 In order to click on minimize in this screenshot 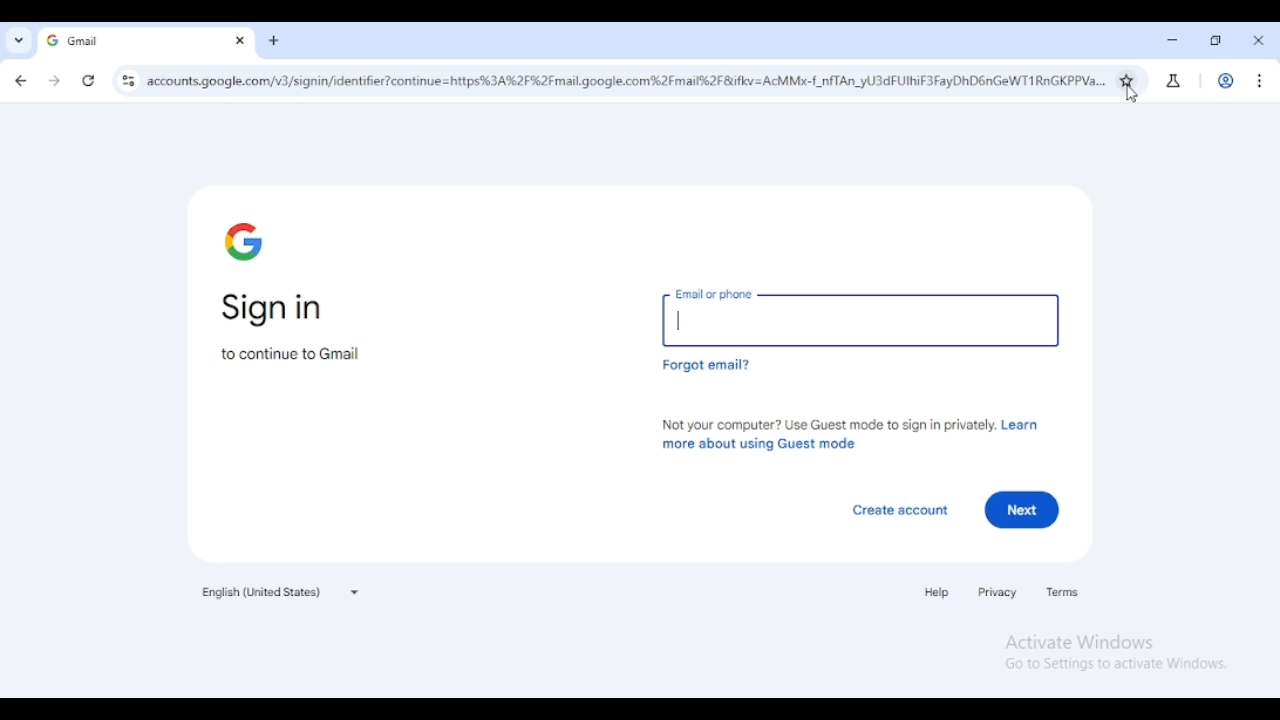, I will do `click(1172, 40)`.